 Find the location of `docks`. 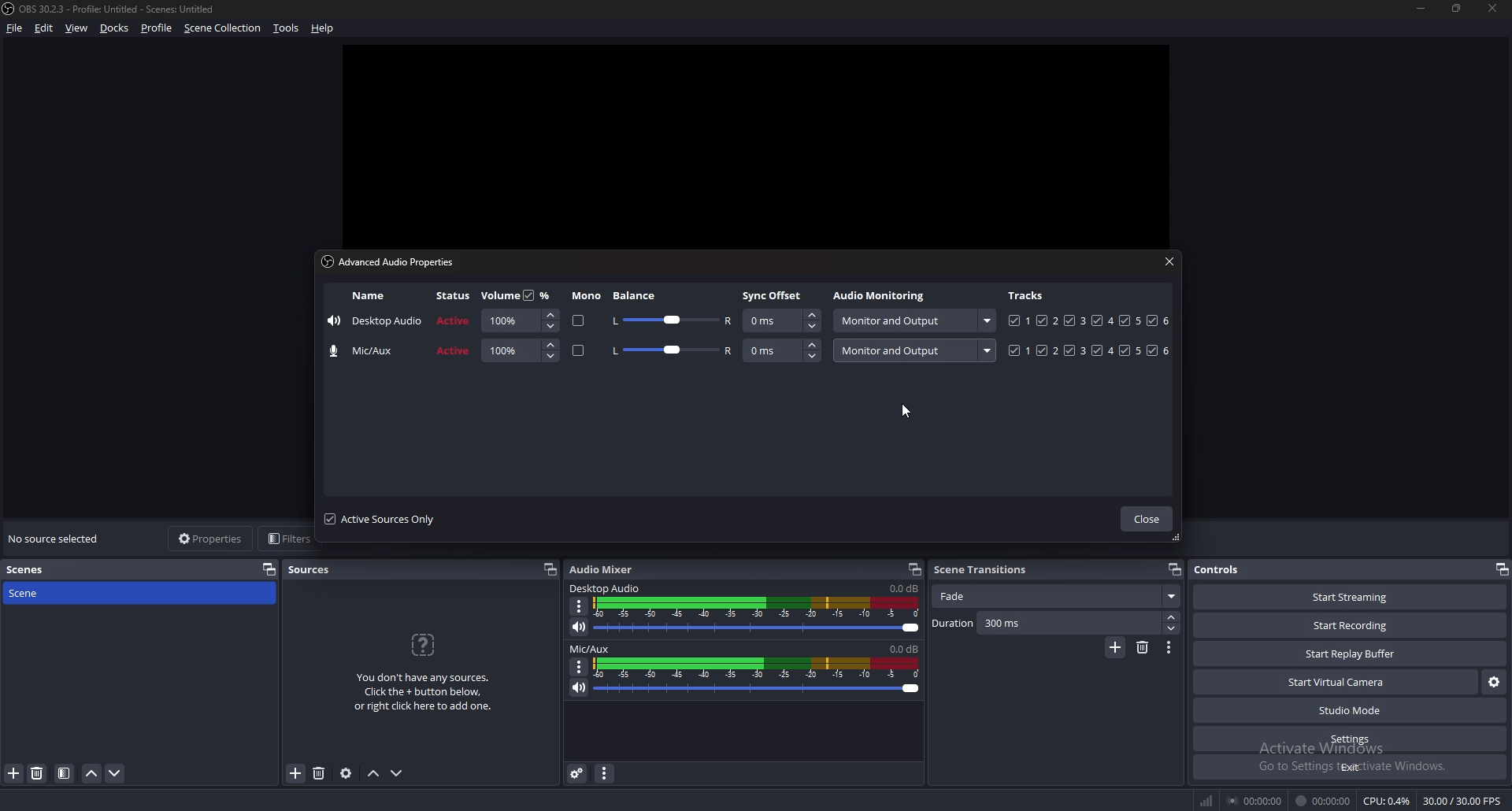

docks is located at coordinates (115, 28).